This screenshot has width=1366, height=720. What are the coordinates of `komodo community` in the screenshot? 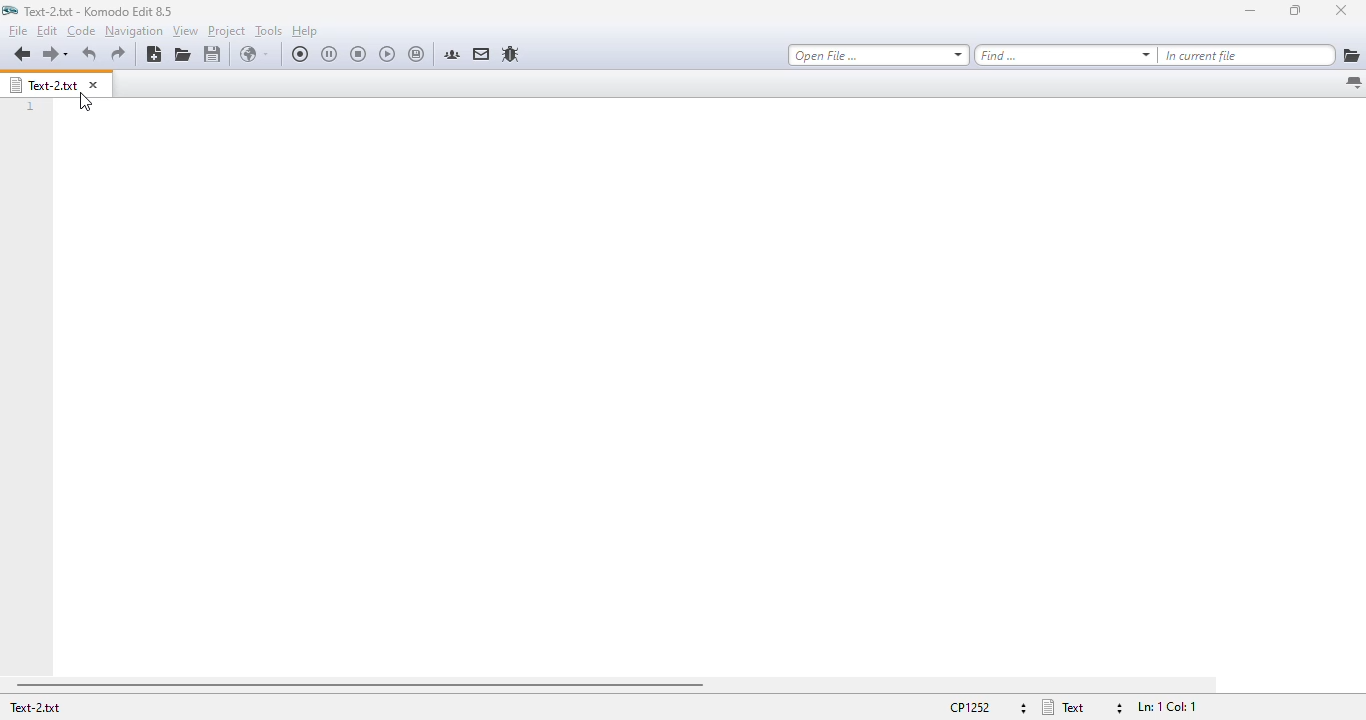 It's located at (452, 54).